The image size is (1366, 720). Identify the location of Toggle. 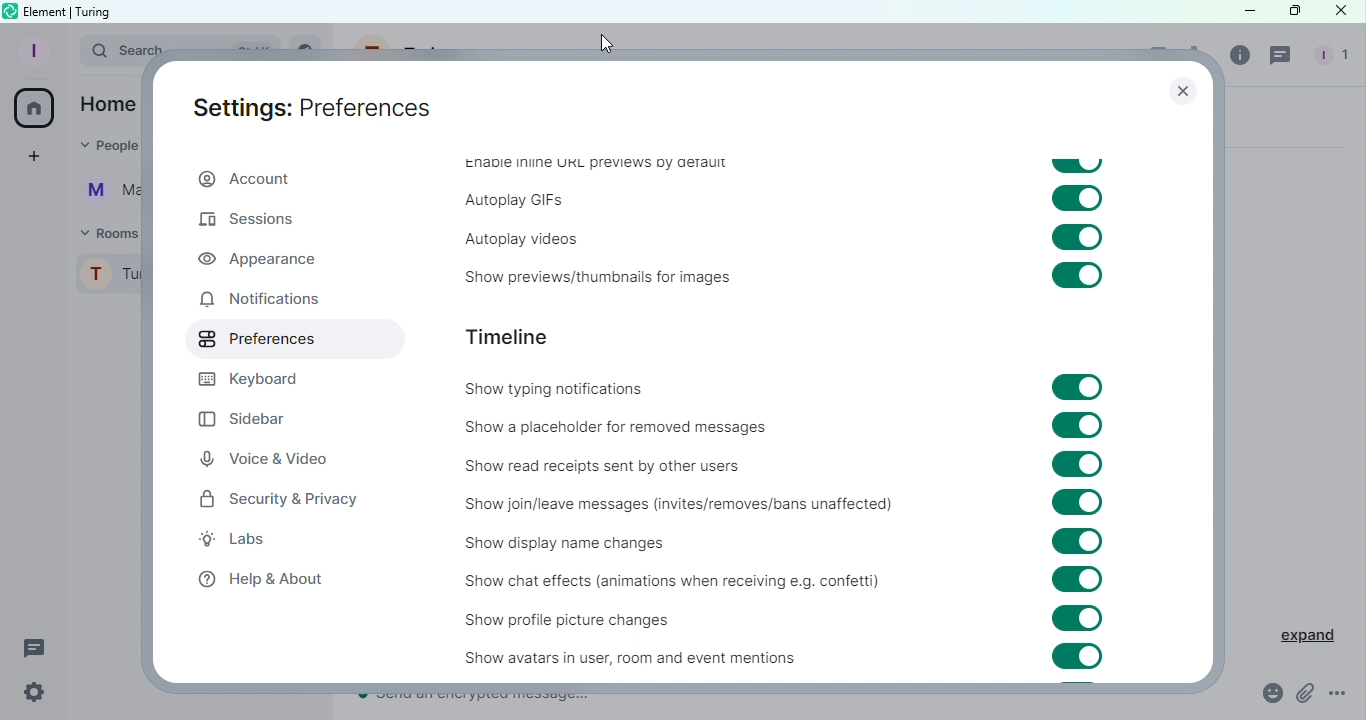
(1074, 656).